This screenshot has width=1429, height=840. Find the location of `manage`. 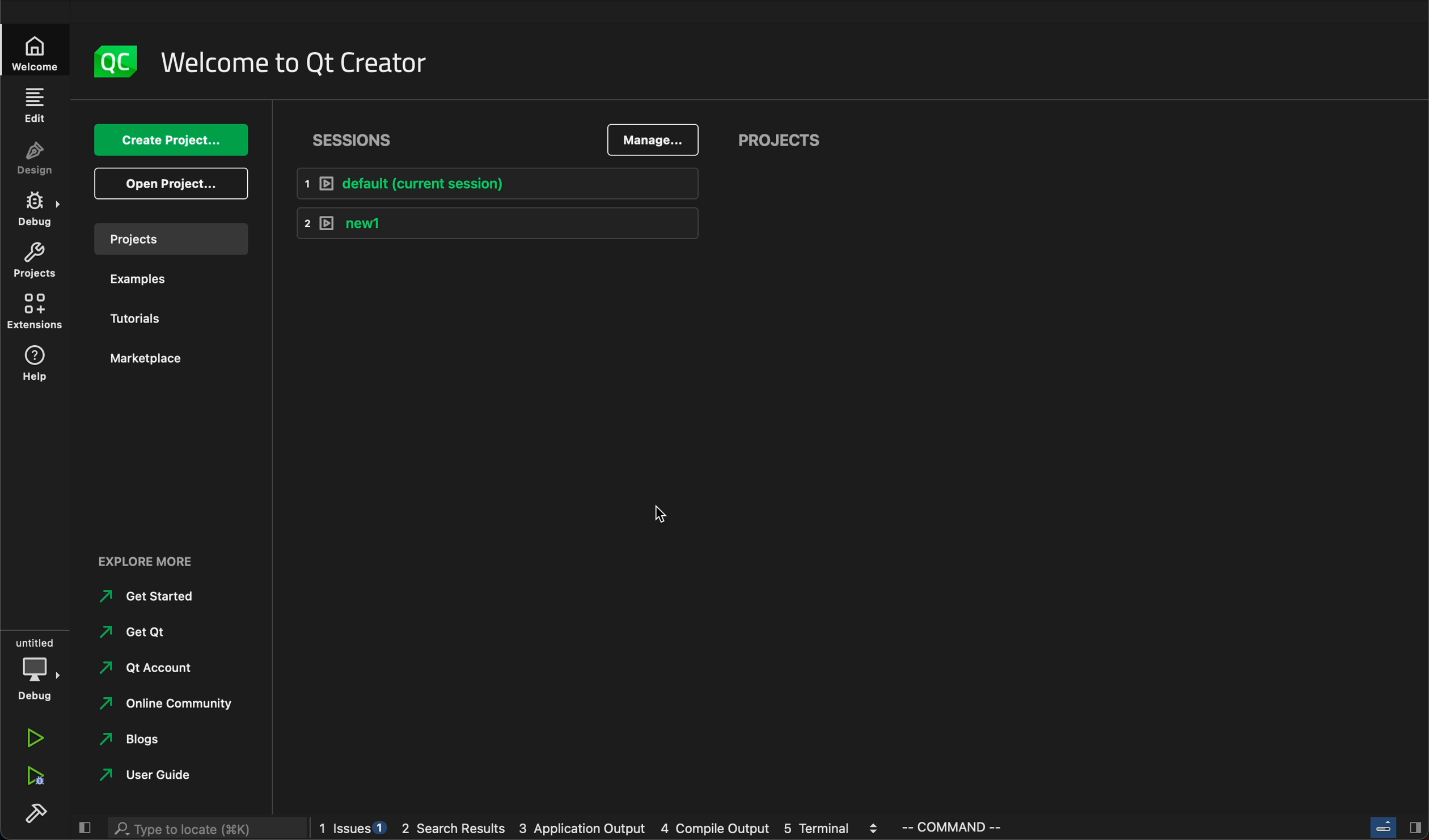

manage is located at coordinates (653, 139).